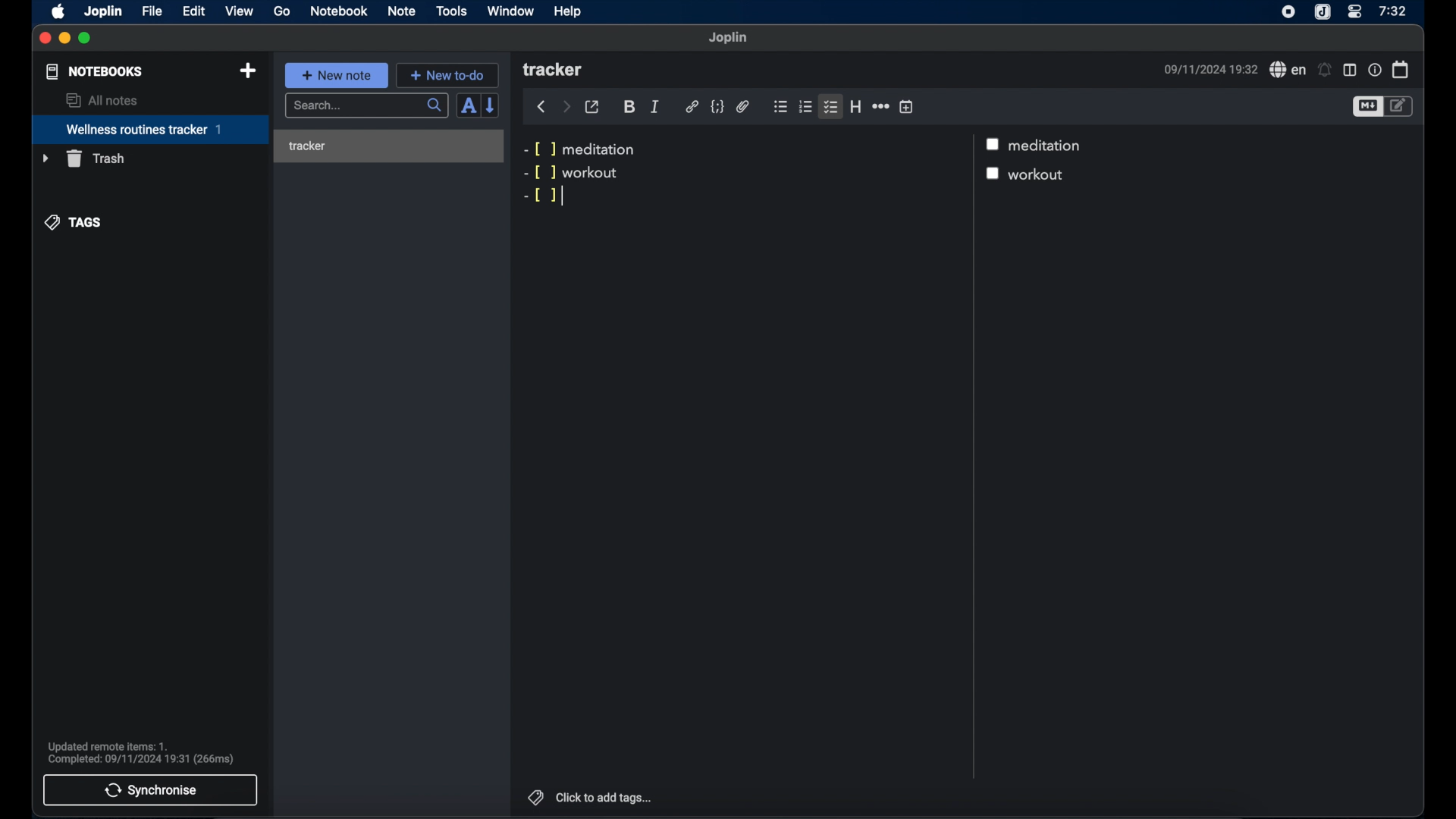  I want to click on back, so click(541, 107).